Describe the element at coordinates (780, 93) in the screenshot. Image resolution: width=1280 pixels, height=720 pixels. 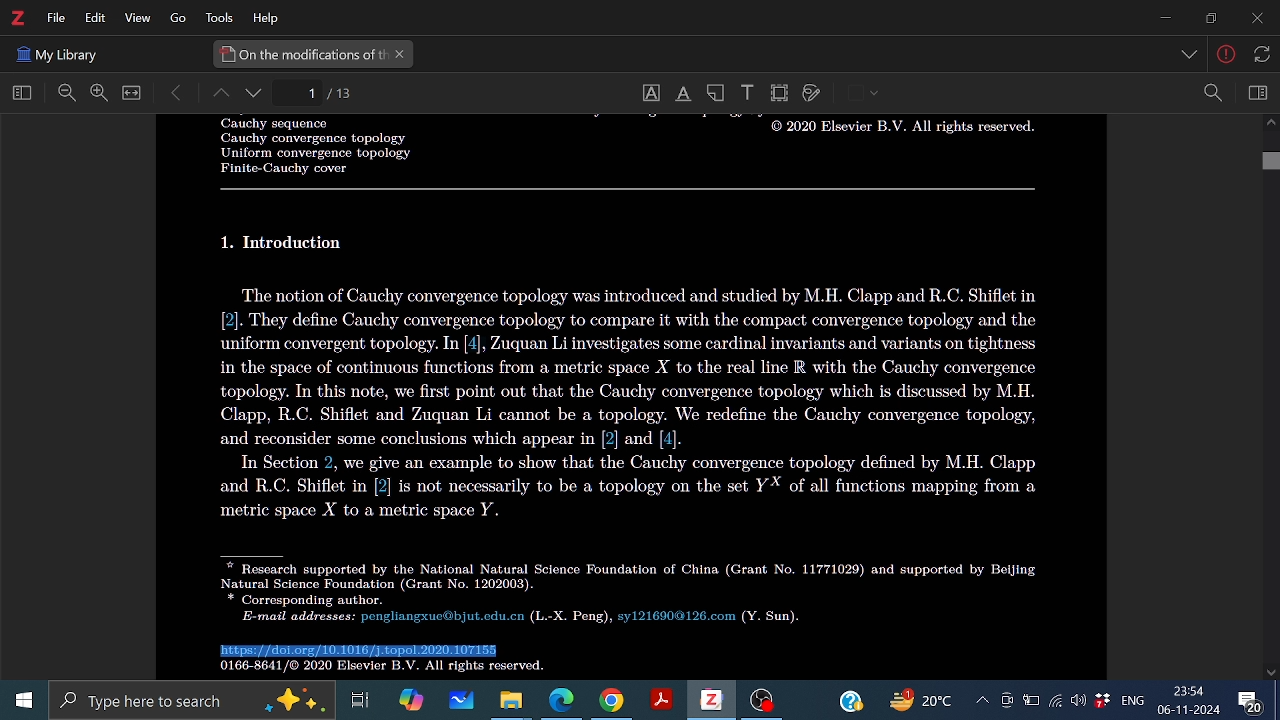
I see `Crop` at that location.